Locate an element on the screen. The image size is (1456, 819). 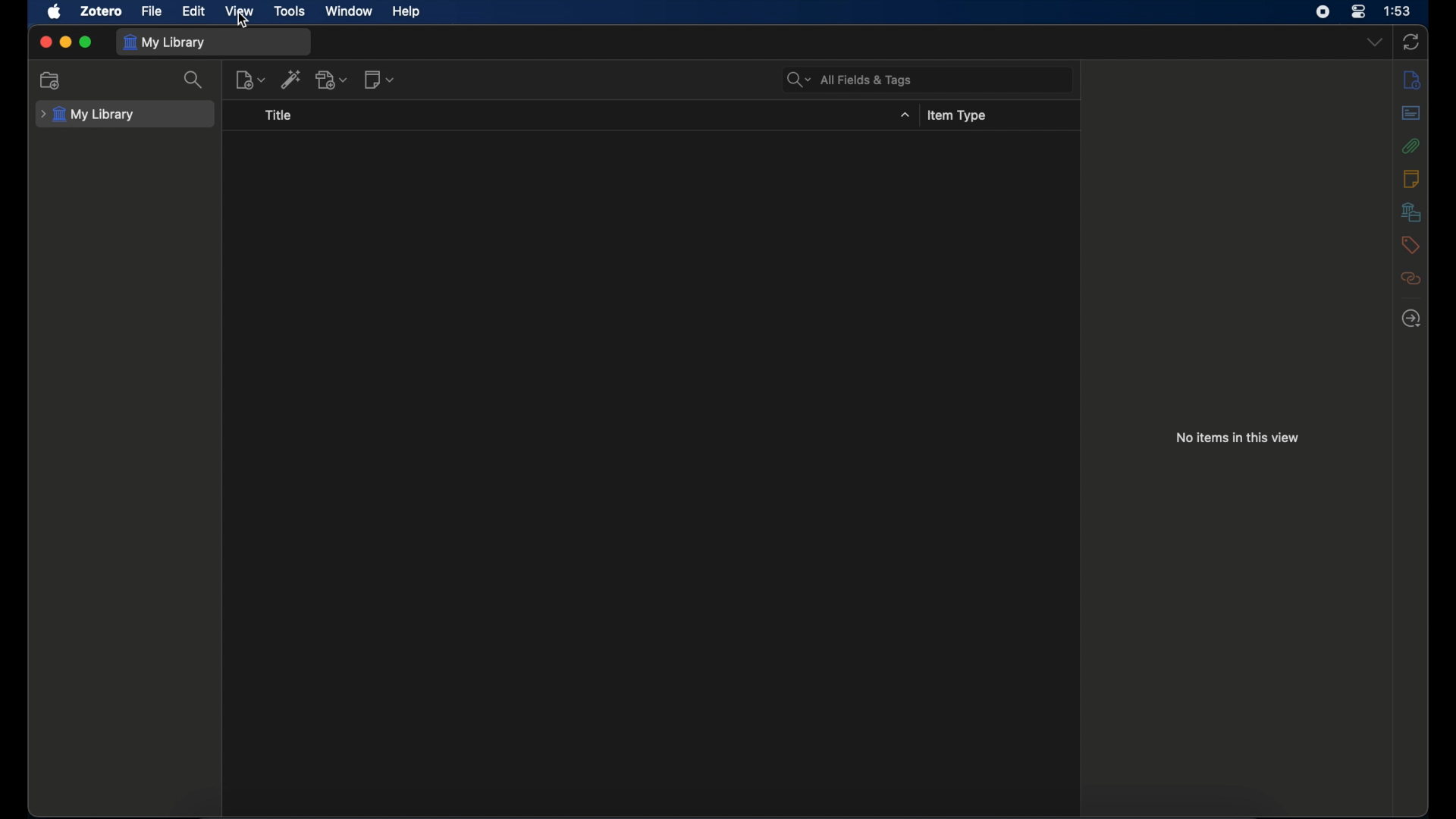
sync is located at coordinates (1410, 42).